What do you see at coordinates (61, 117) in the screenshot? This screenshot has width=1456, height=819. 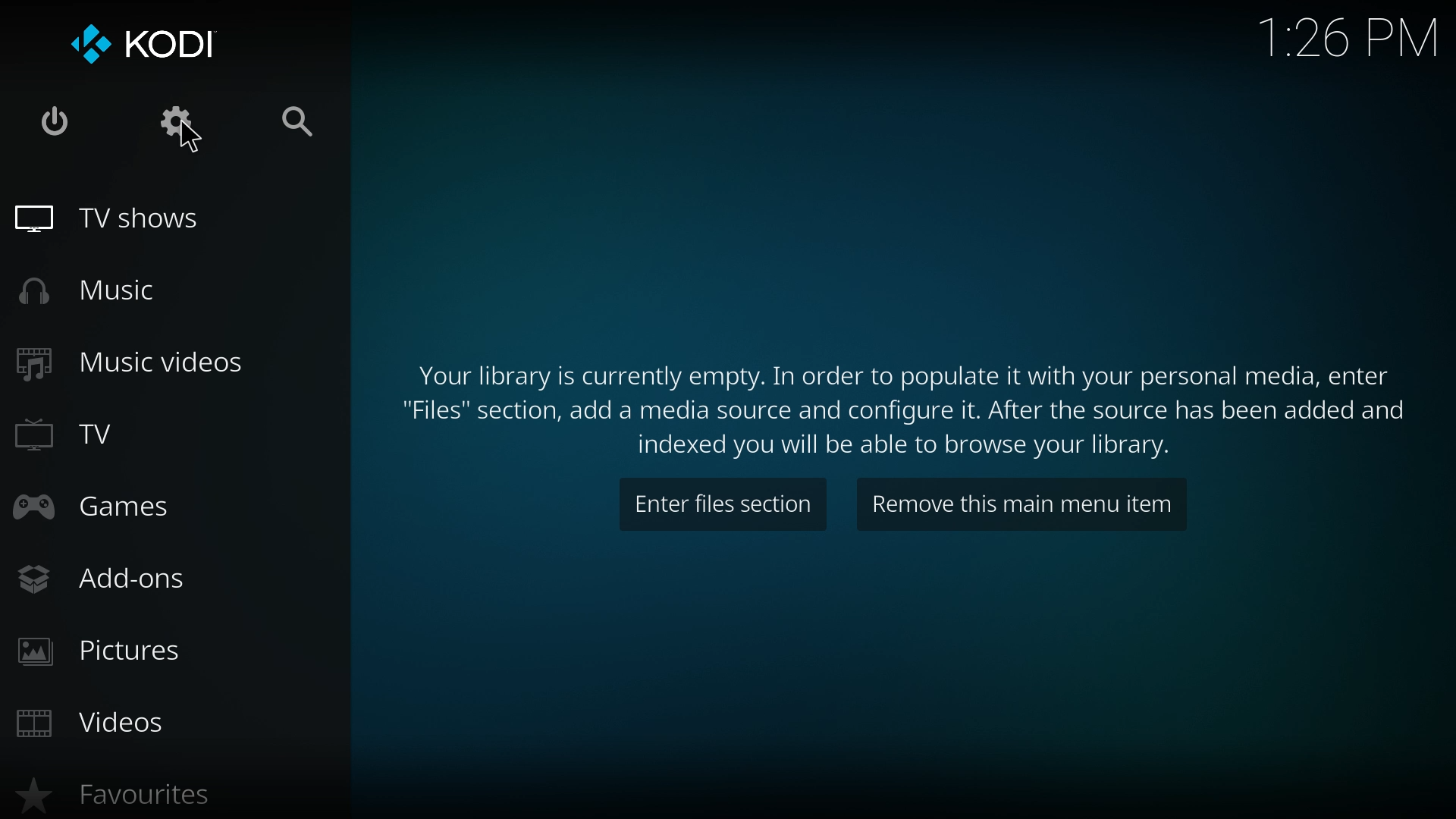 I see `close` at bounding box center [61, 117].